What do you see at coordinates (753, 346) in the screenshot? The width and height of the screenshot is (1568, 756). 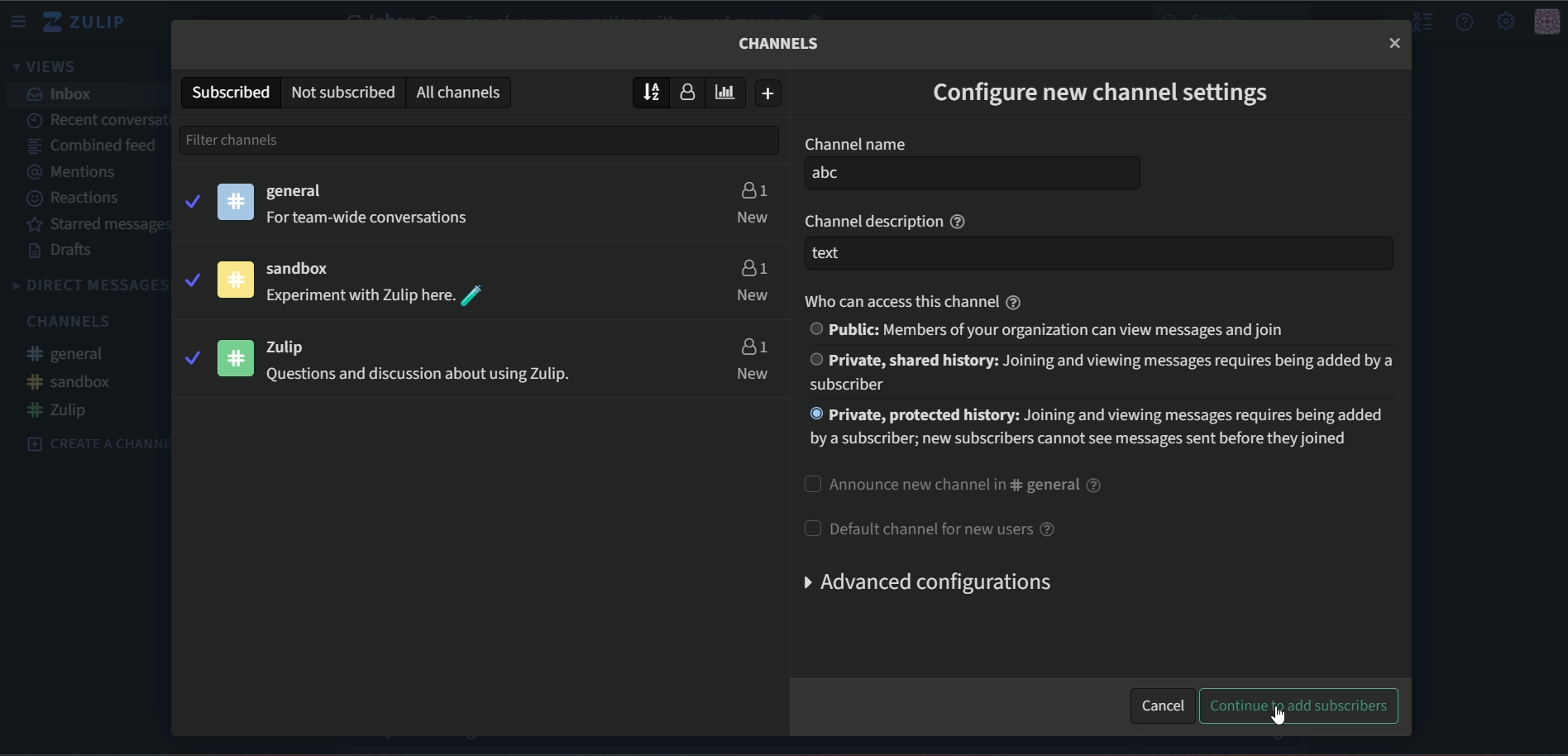 I see `users` at bounding box center [753, 346].